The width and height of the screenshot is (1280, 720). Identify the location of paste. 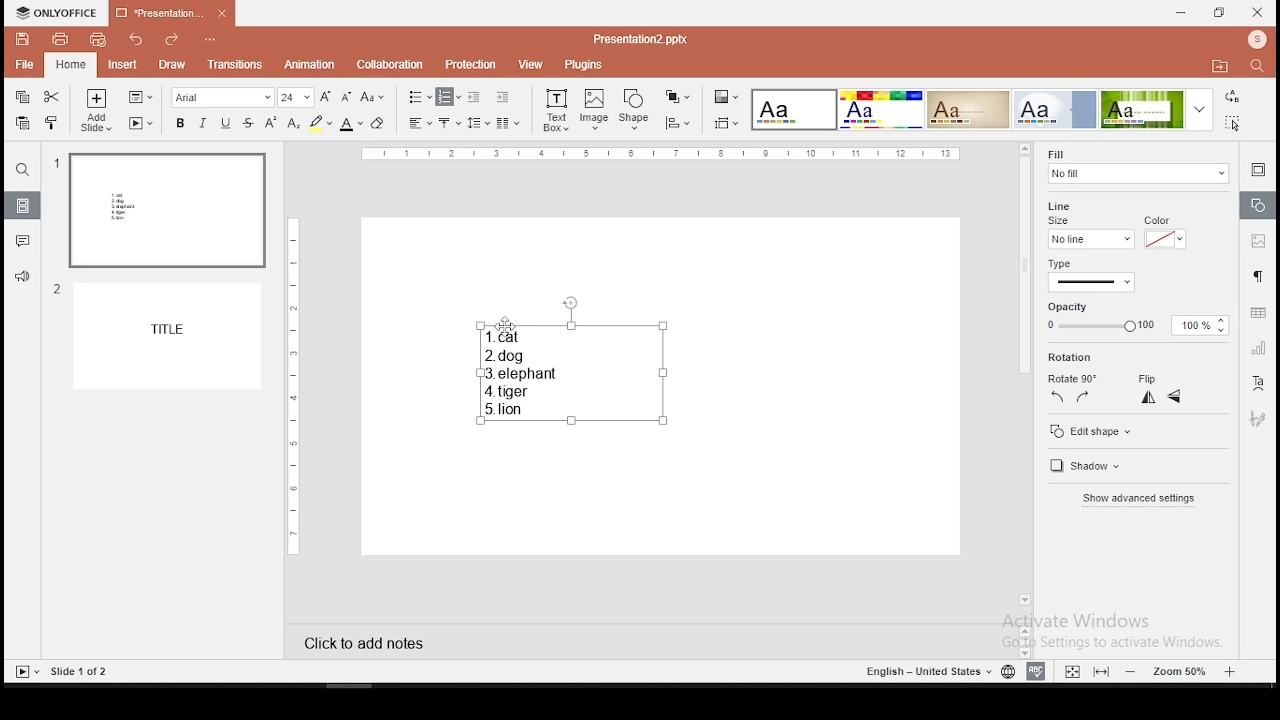
(24, 124).